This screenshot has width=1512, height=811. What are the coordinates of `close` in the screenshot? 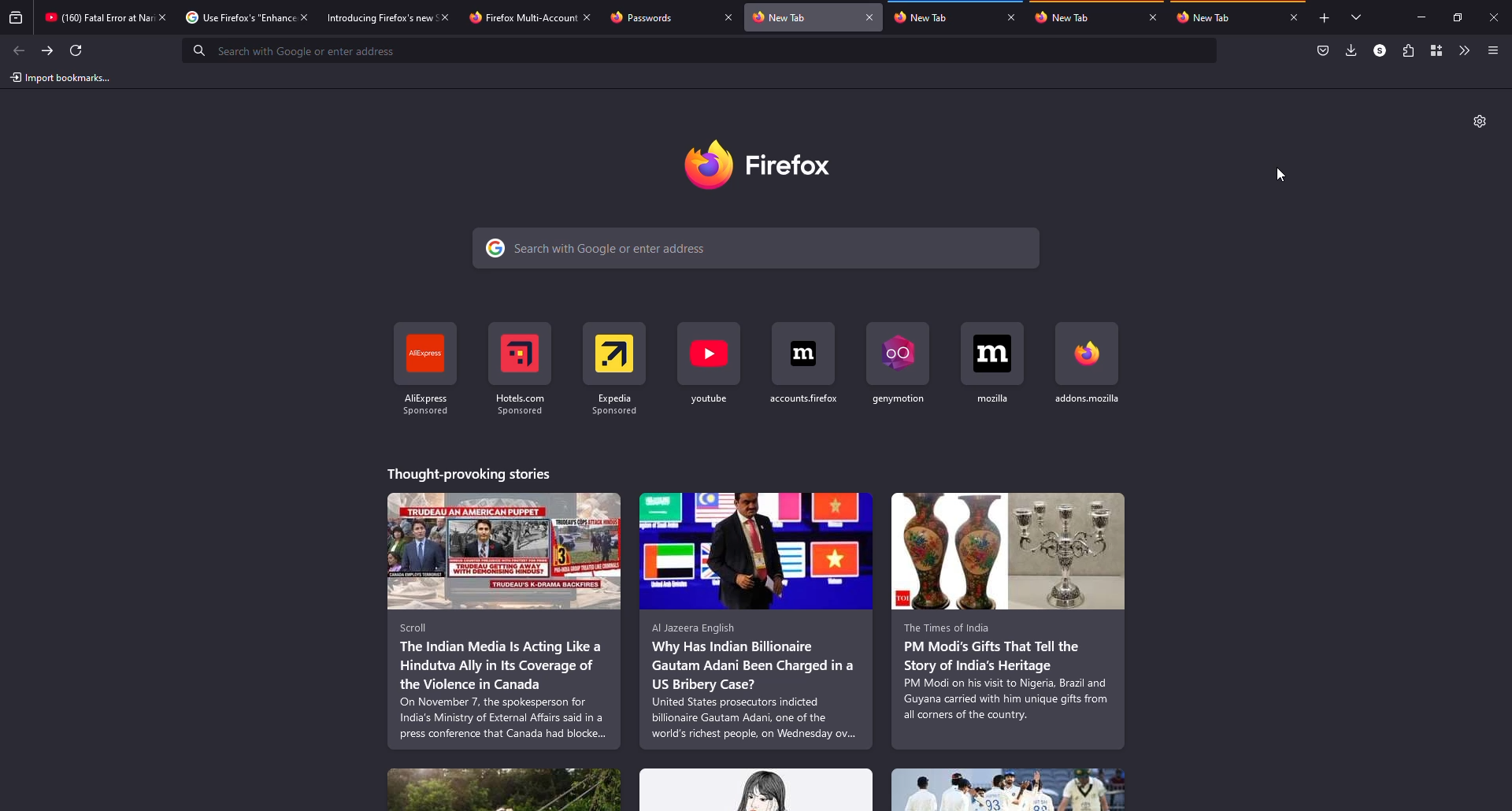 It's located at (164, 17).